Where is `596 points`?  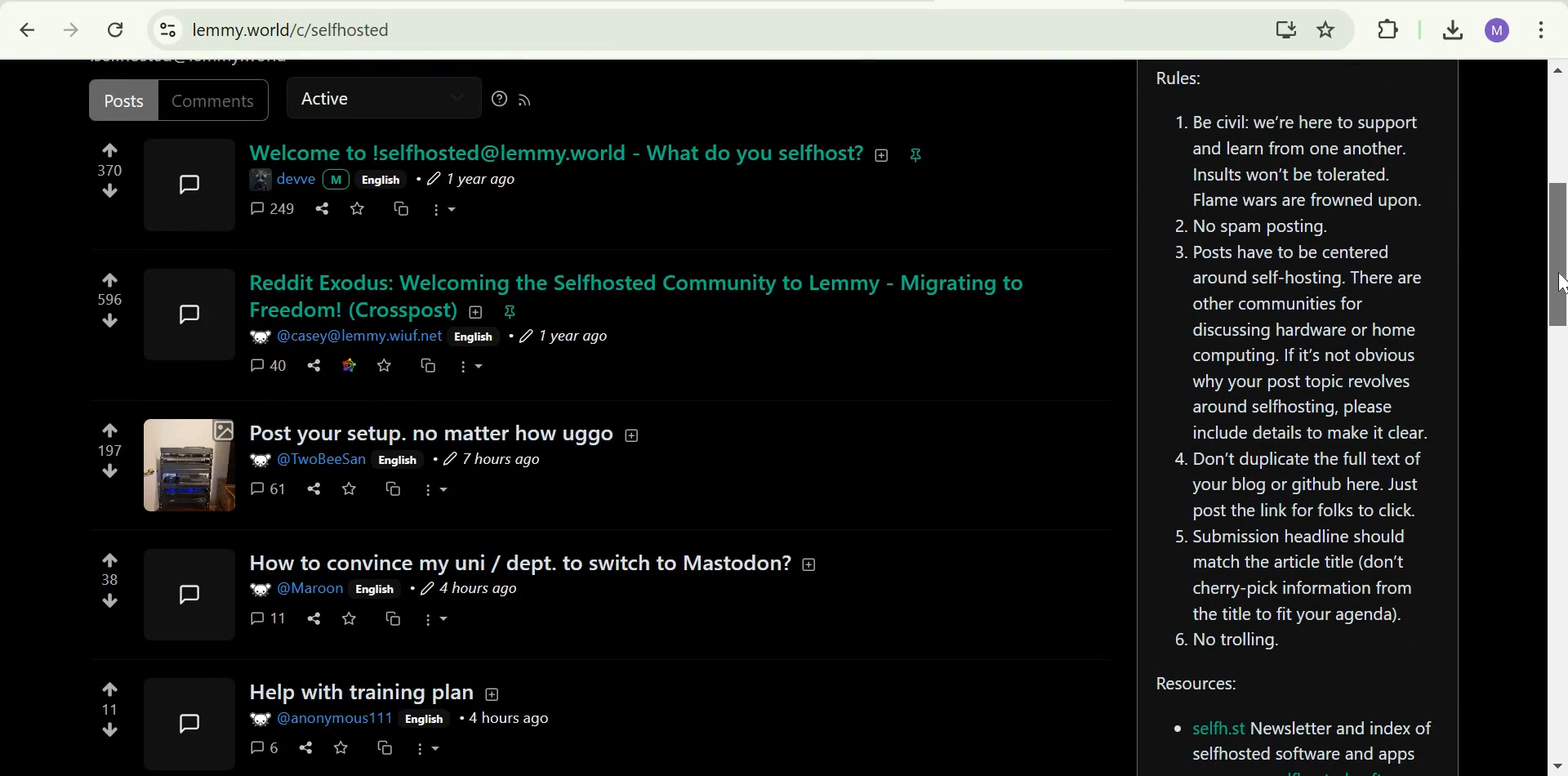
596 points is located at coordinates (112, 300).